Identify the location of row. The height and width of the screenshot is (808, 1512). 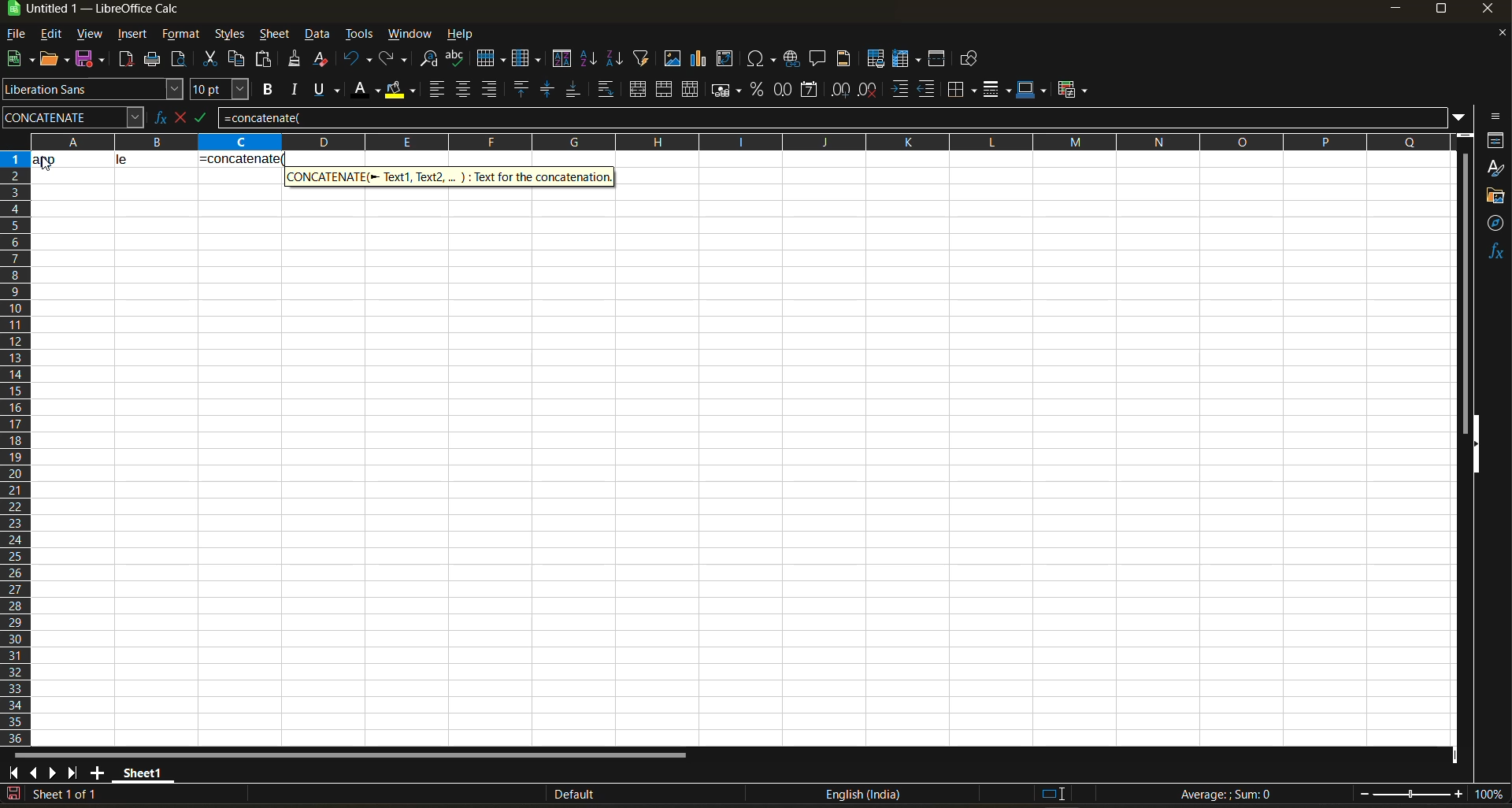
(491, 57).